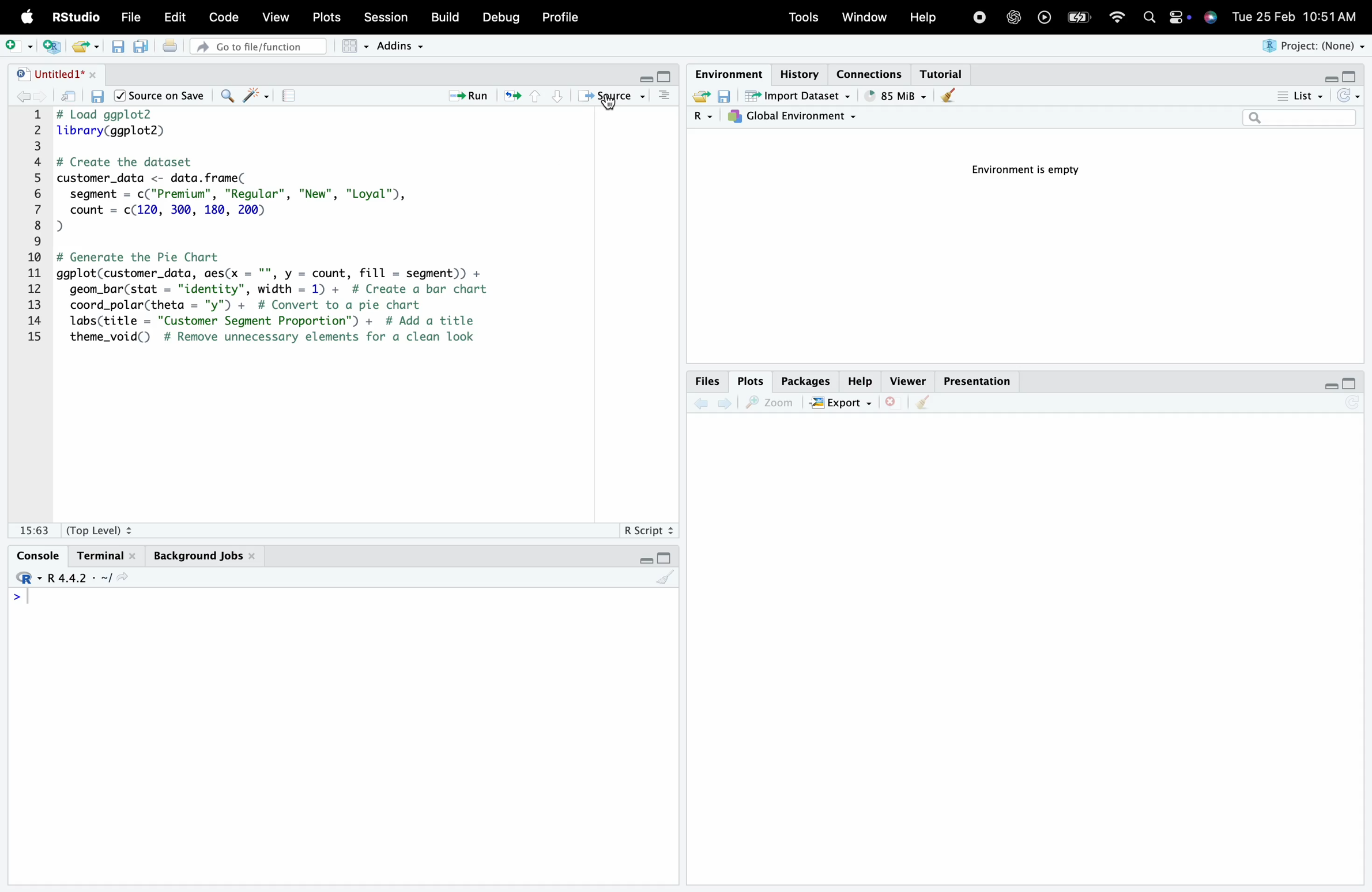  Describe the element at coordinates (976, 379) in the screenshot. I see `Presentation` at that location.